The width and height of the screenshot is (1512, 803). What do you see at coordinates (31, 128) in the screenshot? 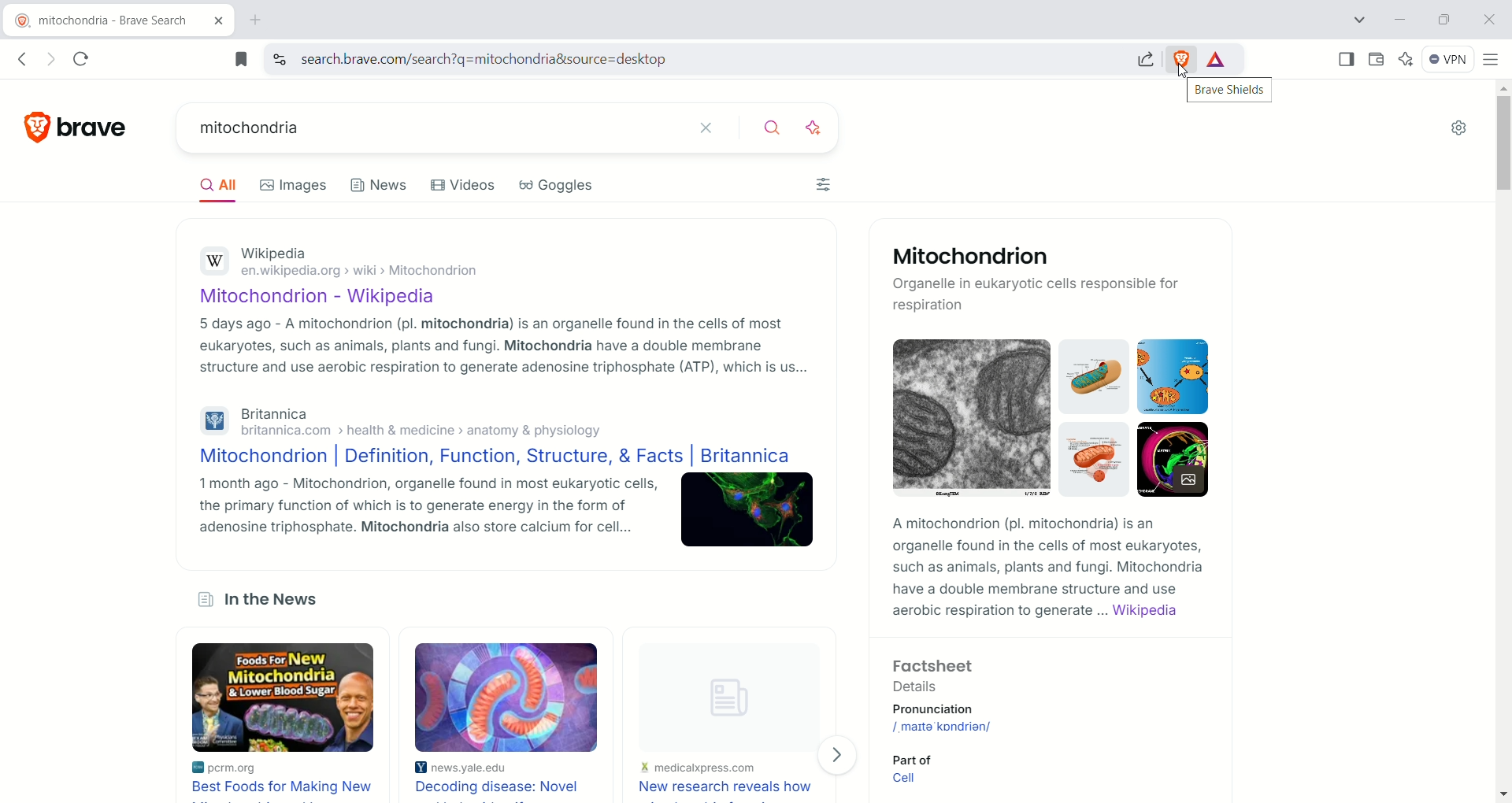
I see `logo` at bounding box center [31, 128].